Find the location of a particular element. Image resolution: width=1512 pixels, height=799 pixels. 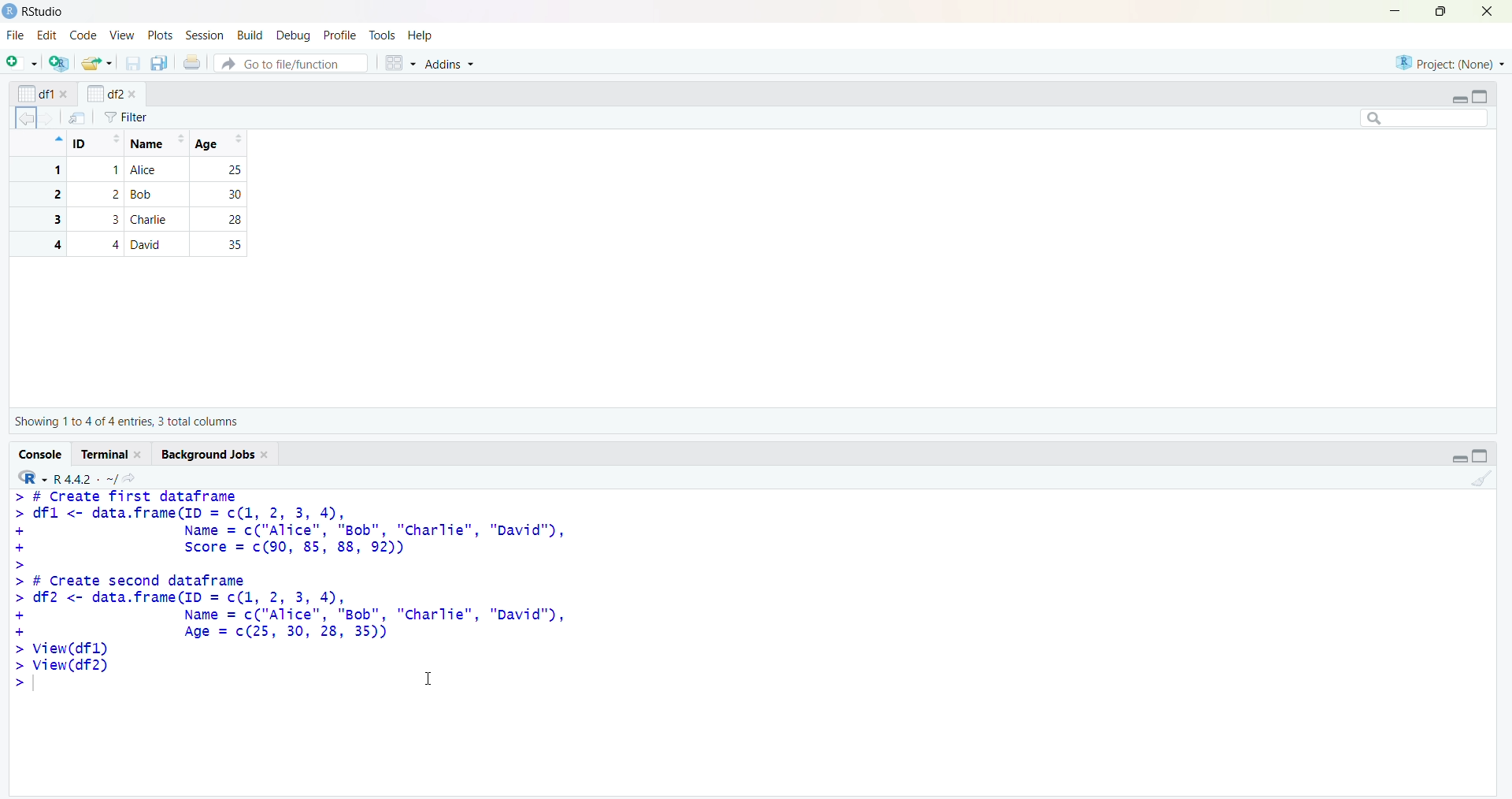

grid is located at coordinates (401, 63).